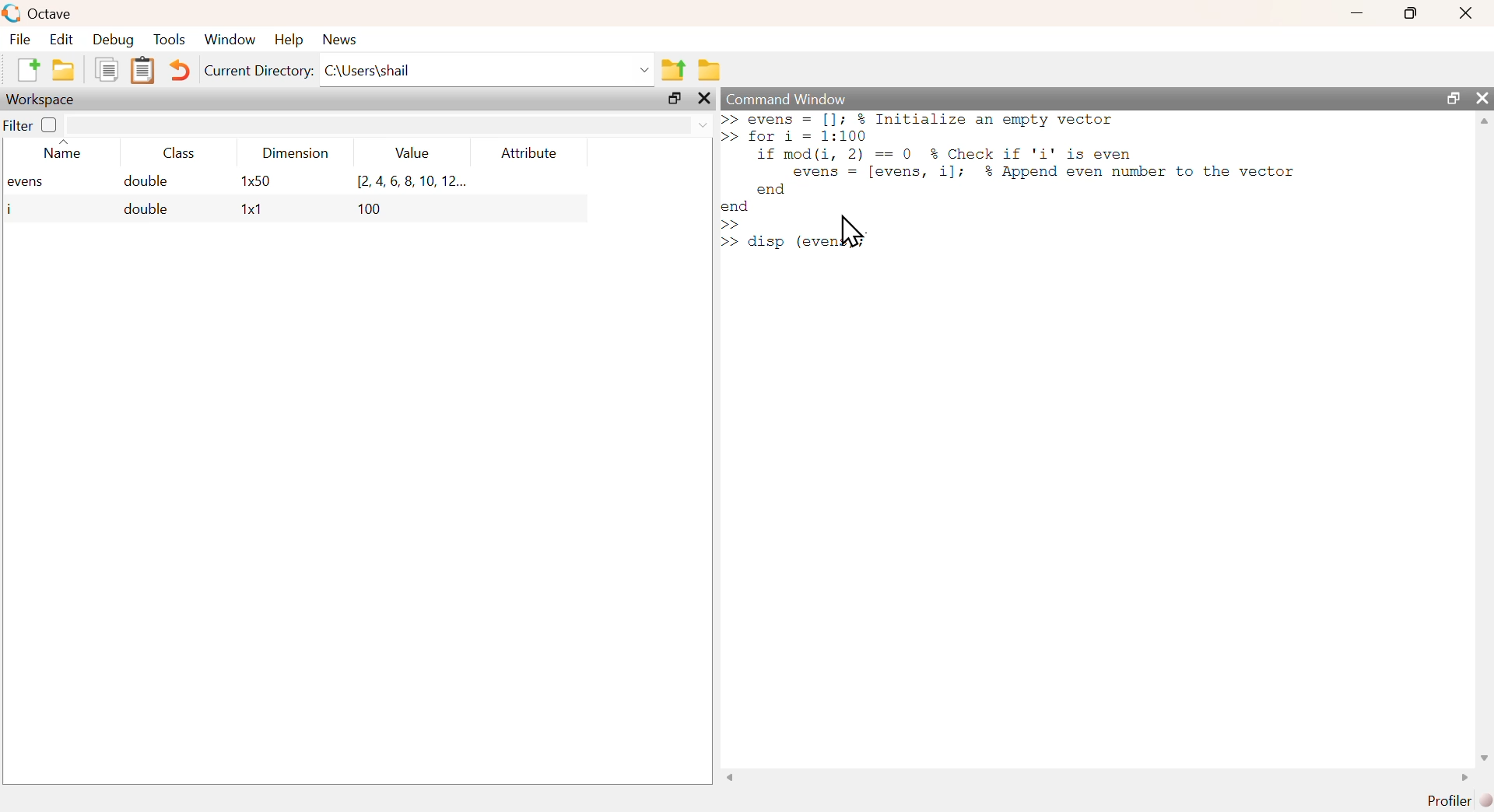  I want to click on 1x50, so click(256, 182).